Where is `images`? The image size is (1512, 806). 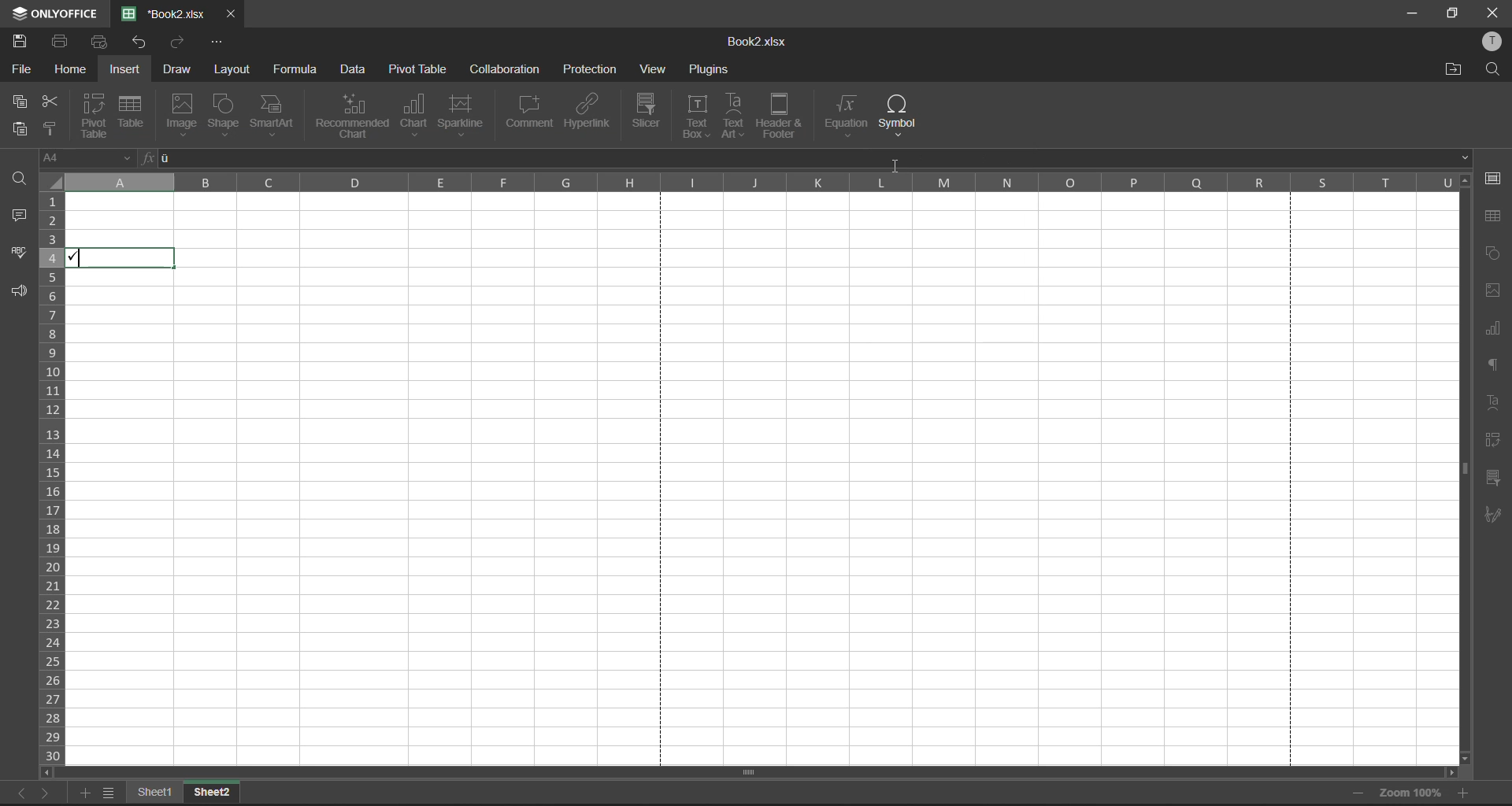
images is located at coordinates (1491, 290).